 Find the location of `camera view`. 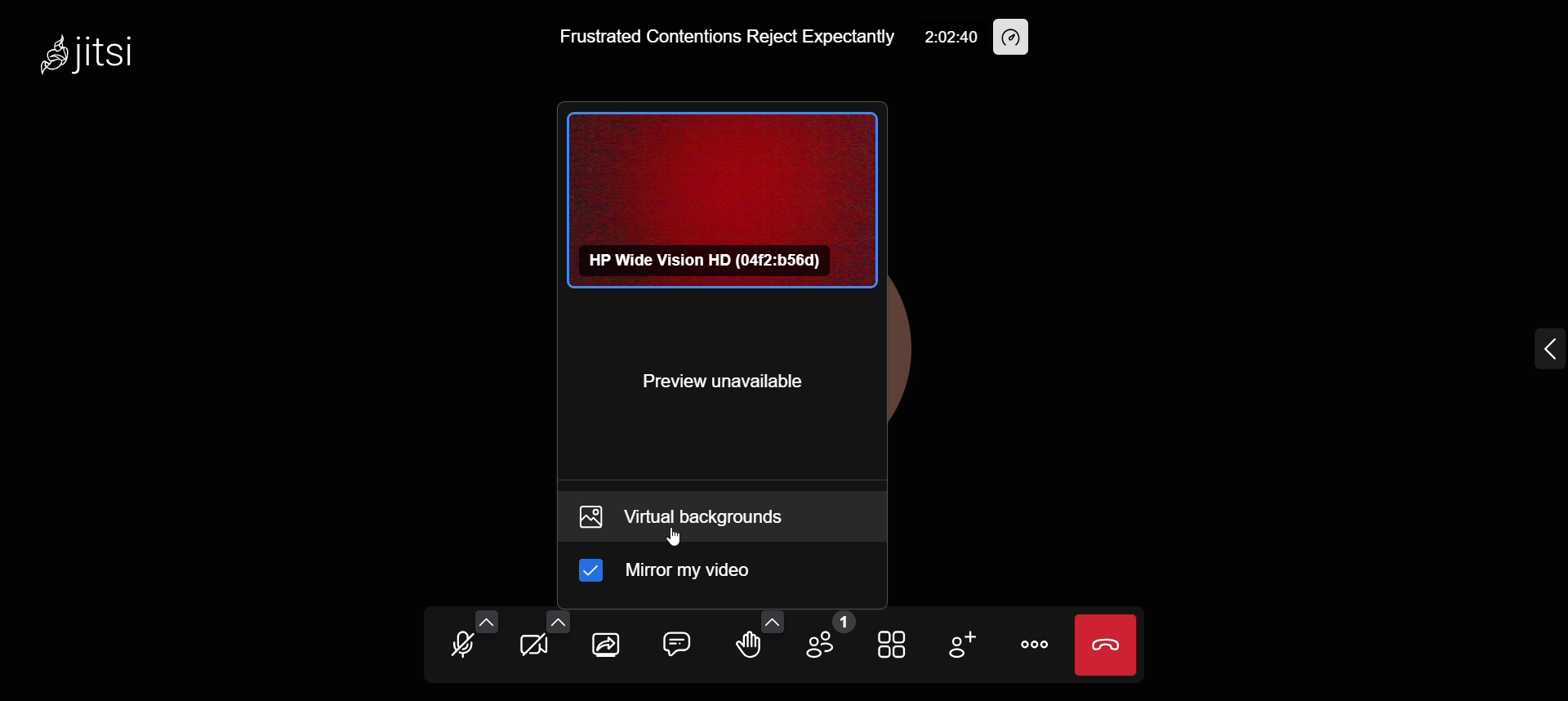

camera view is located at coordinates (719, 199).